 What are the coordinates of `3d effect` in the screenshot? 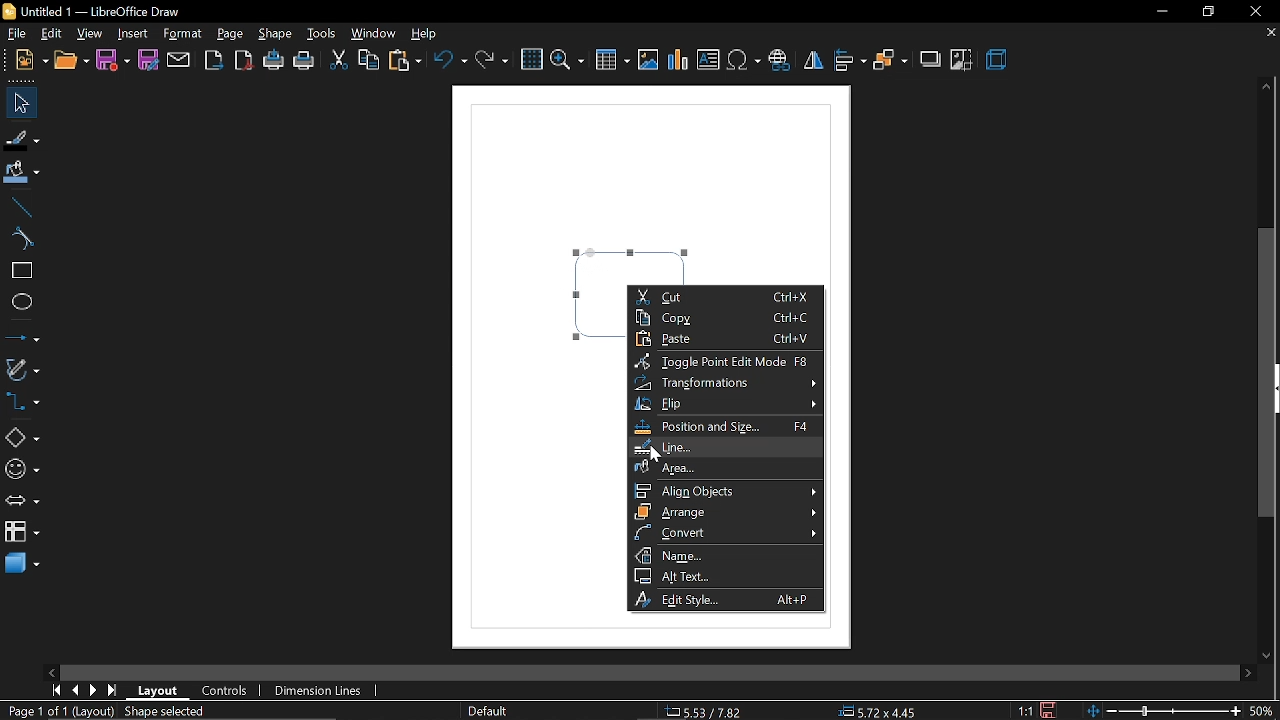 It's located at (998, 61).